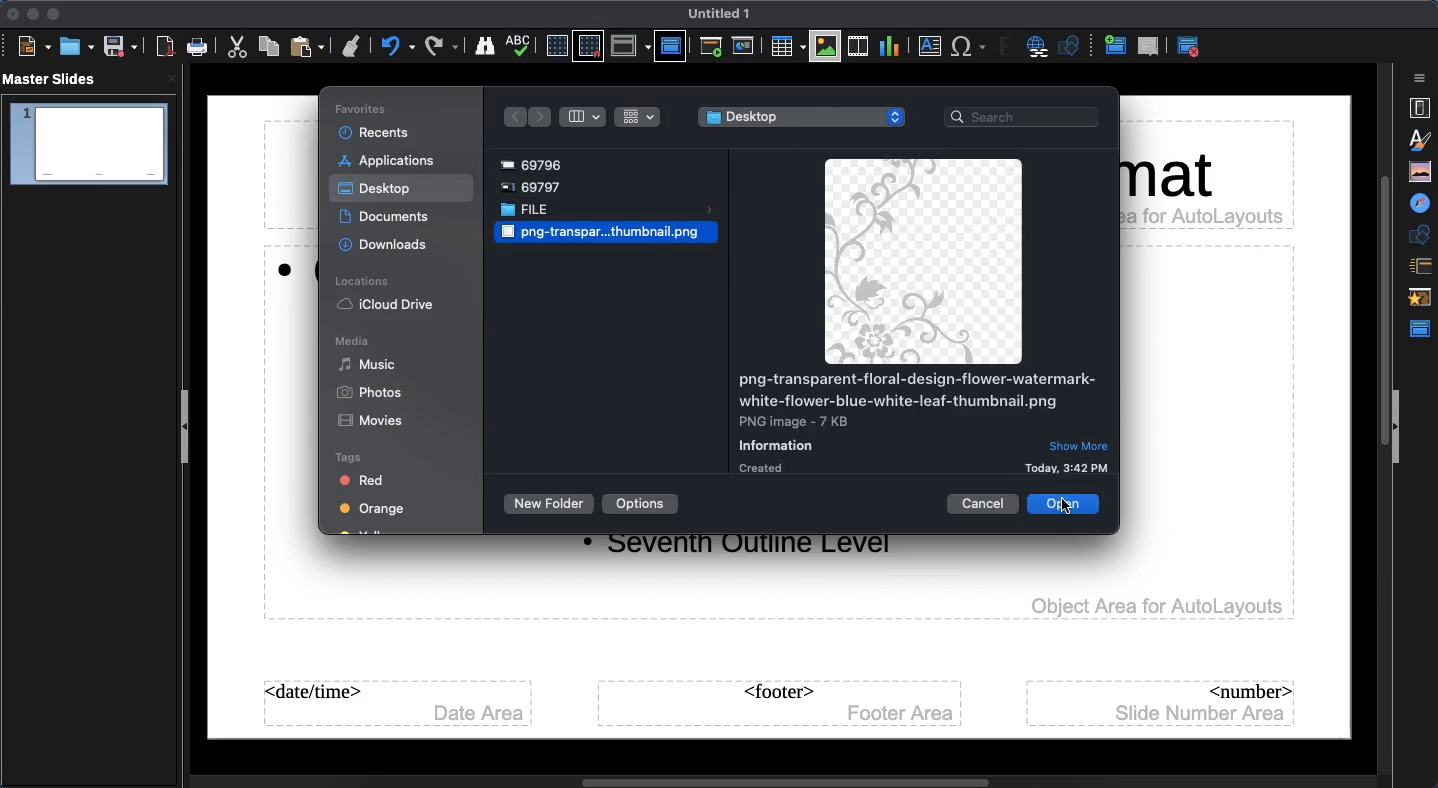 This screenshot has height=788, width=1438. What do you see at coordinates (540, 186) in the screenshot?
I see `69797` at bounding box center [540, 186].